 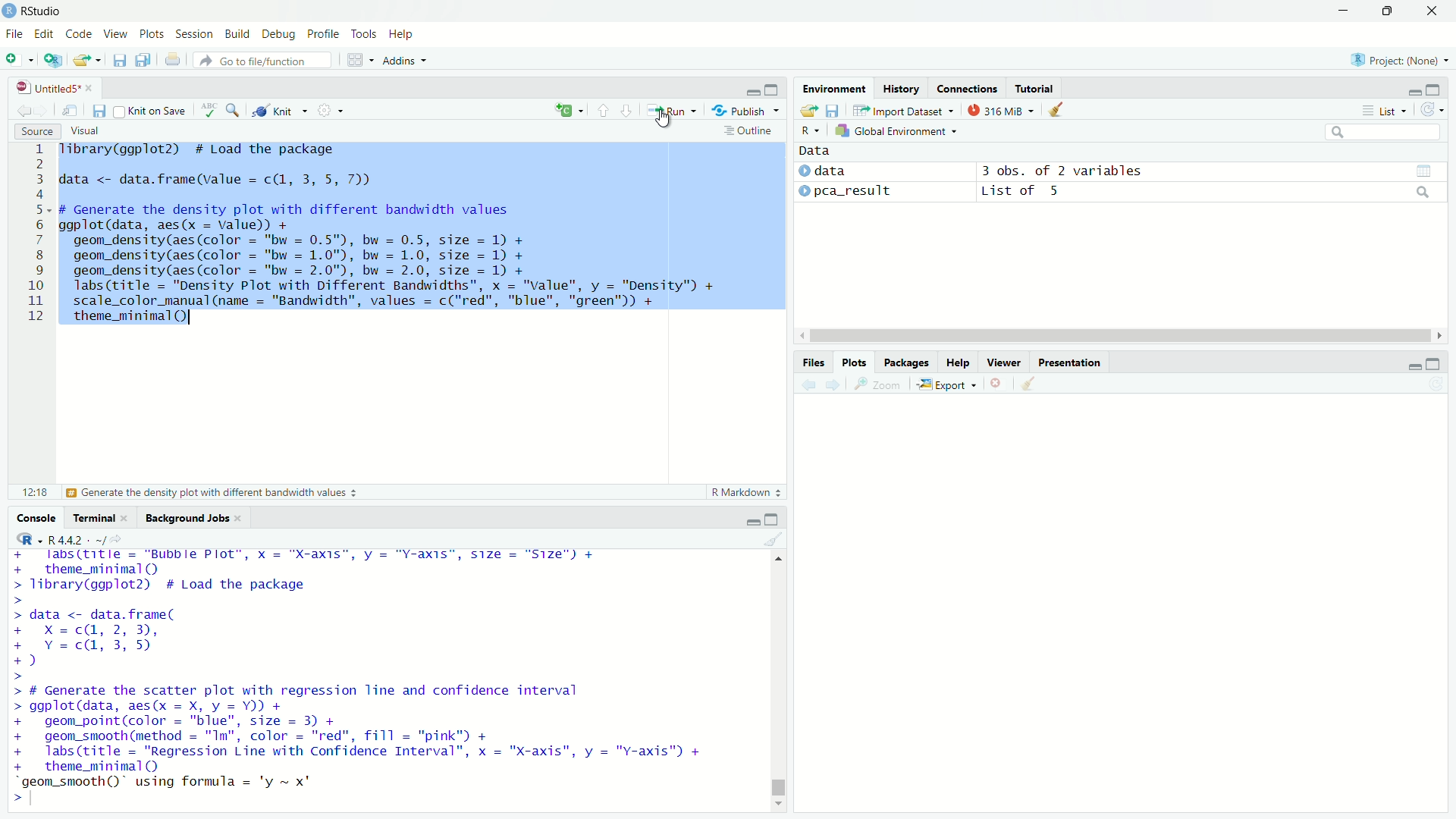 What do you see at coordinates (174, 59) in the screenshot?
I see `Print the current file` at bounding box center [174, 59].